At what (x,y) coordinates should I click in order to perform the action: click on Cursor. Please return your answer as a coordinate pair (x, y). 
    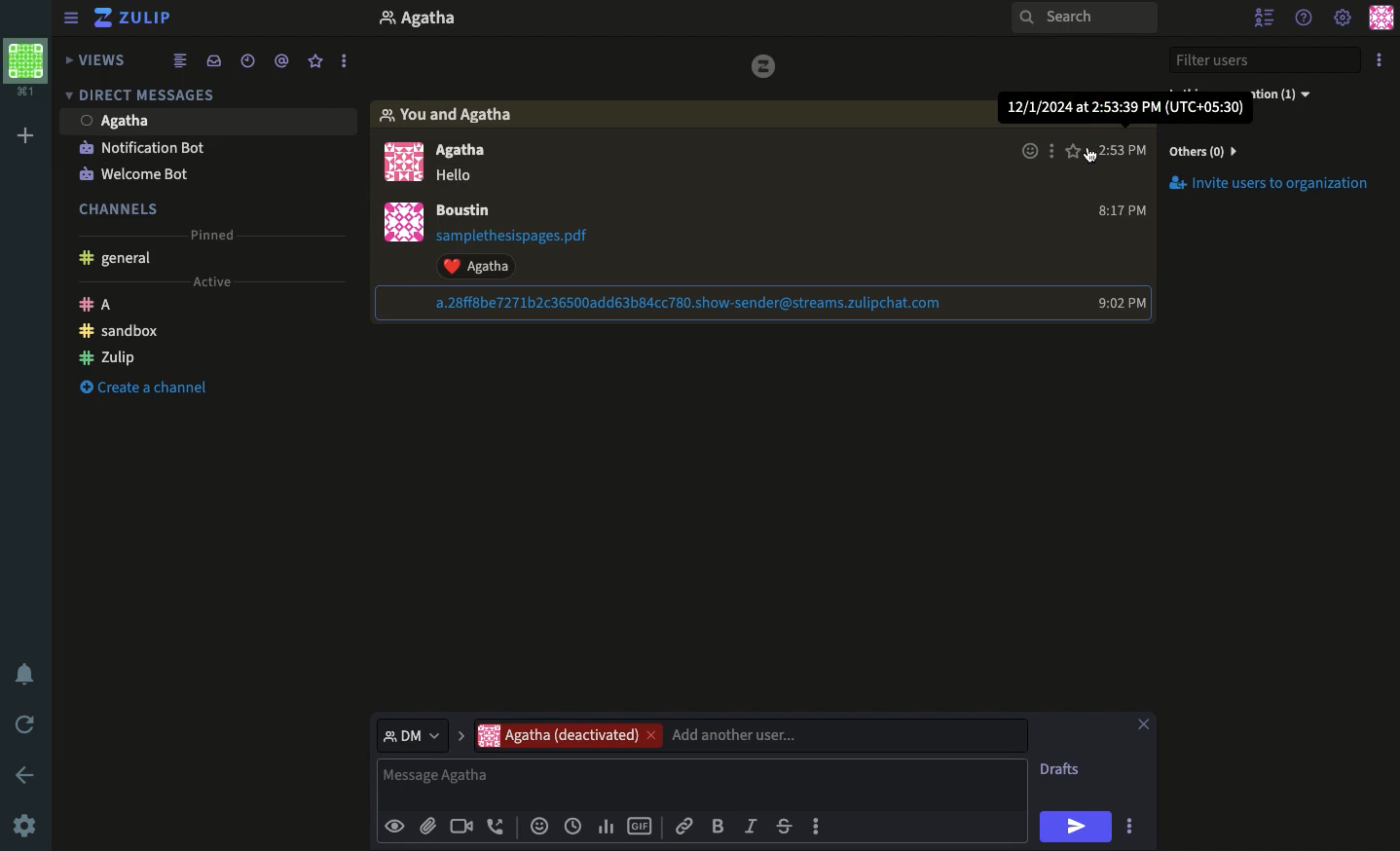
    Looking at the image, I should click on (1090, 158).